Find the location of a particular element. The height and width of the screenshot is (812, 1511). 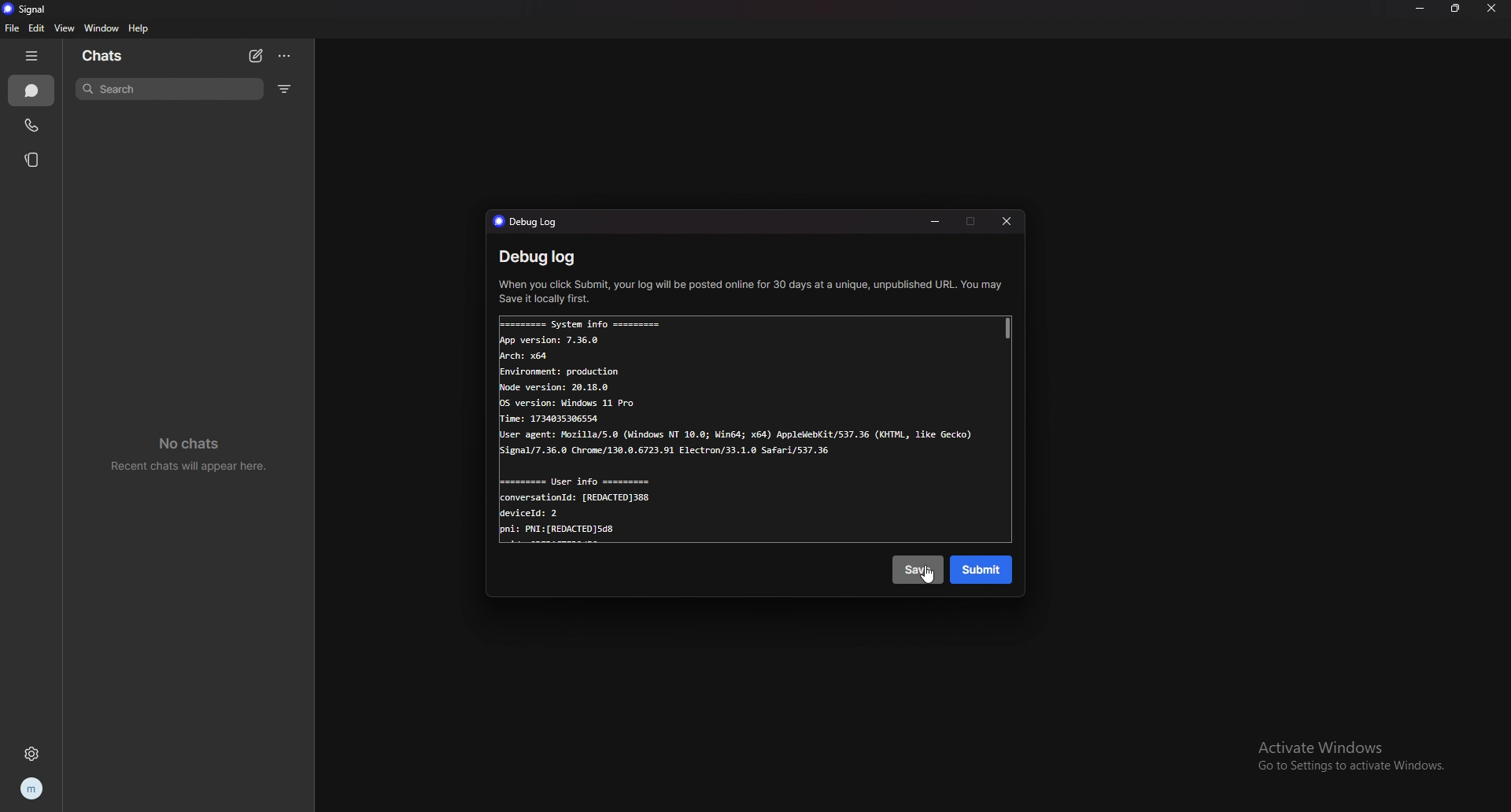

help is located at coordinates (139, 29).